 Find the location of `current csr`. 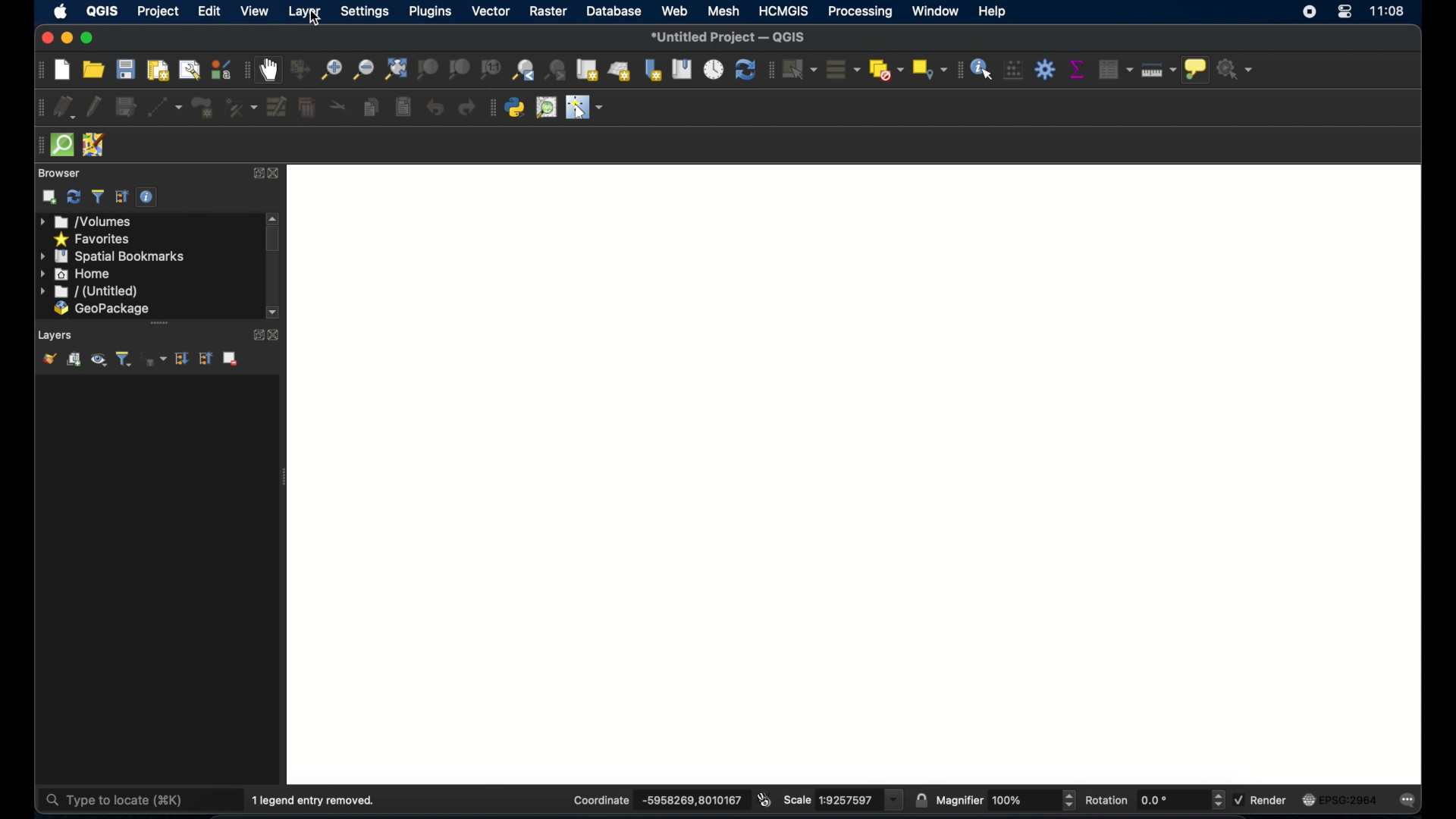

current csr is located at coordinates (1345, 799).